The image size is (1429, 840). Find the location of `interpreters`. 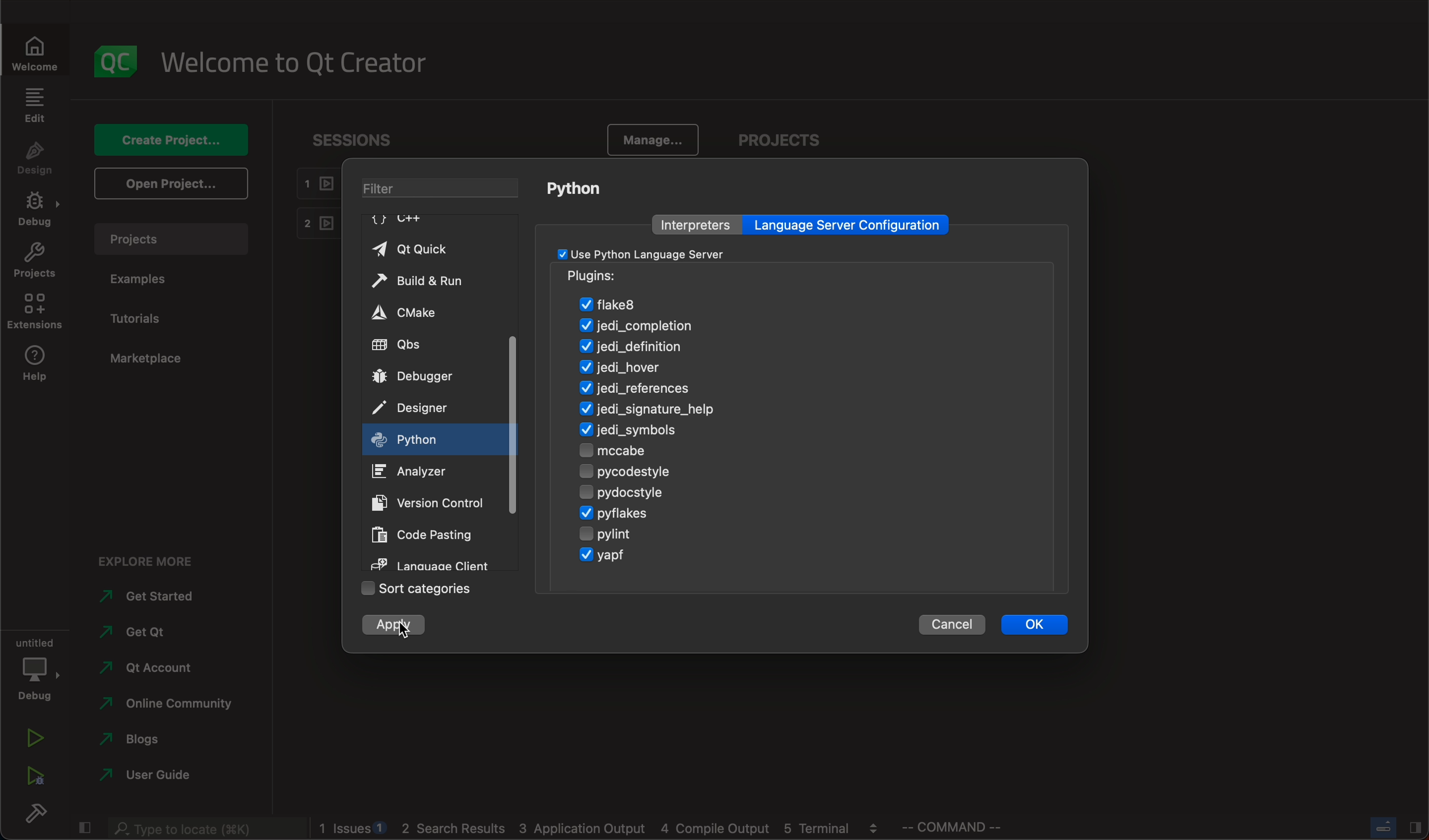

interpreters is located at coordinates (697, 224).